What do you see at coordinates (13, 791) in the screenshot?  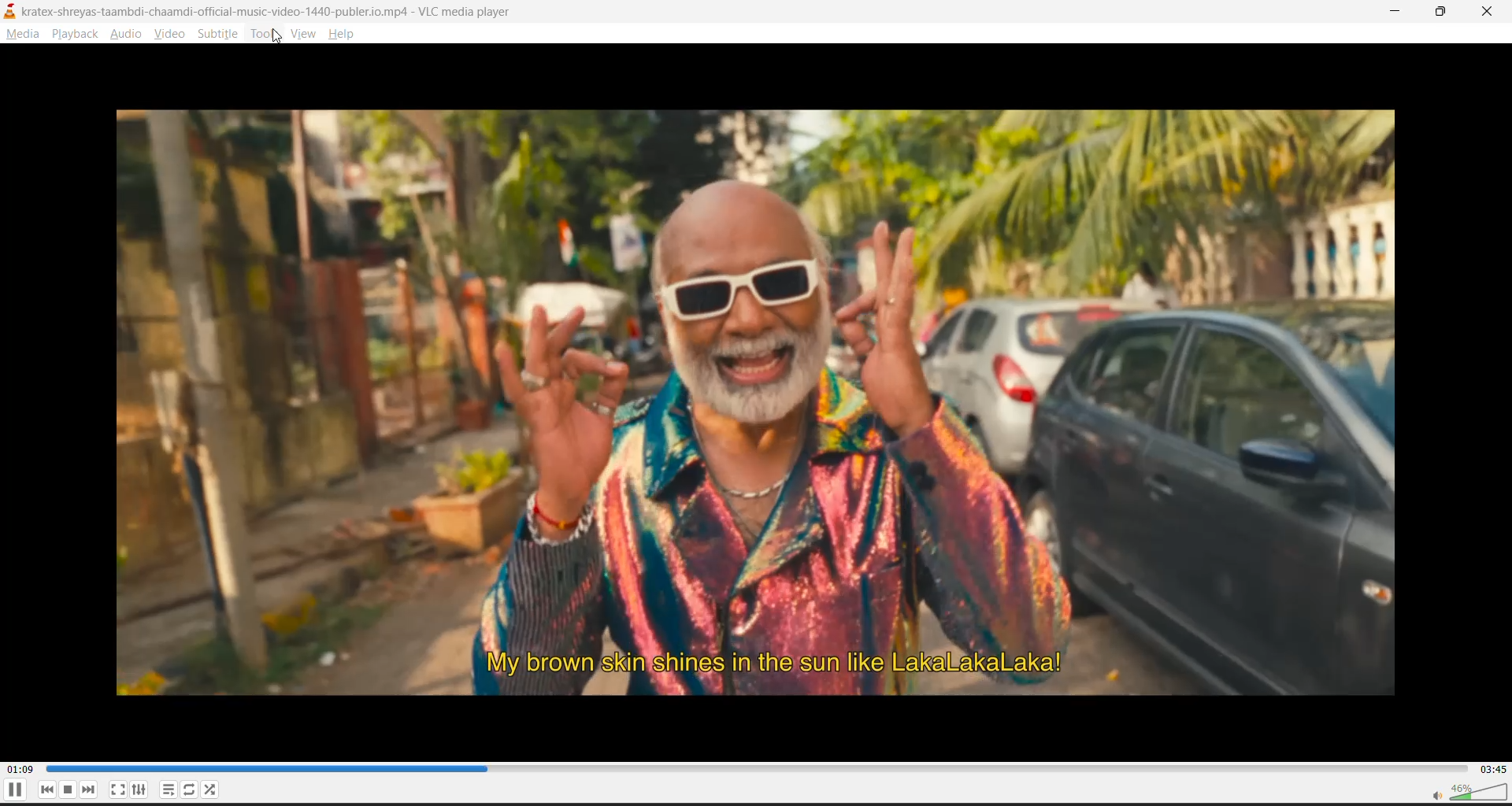 I see `pause` at bounding box center [13, 791].